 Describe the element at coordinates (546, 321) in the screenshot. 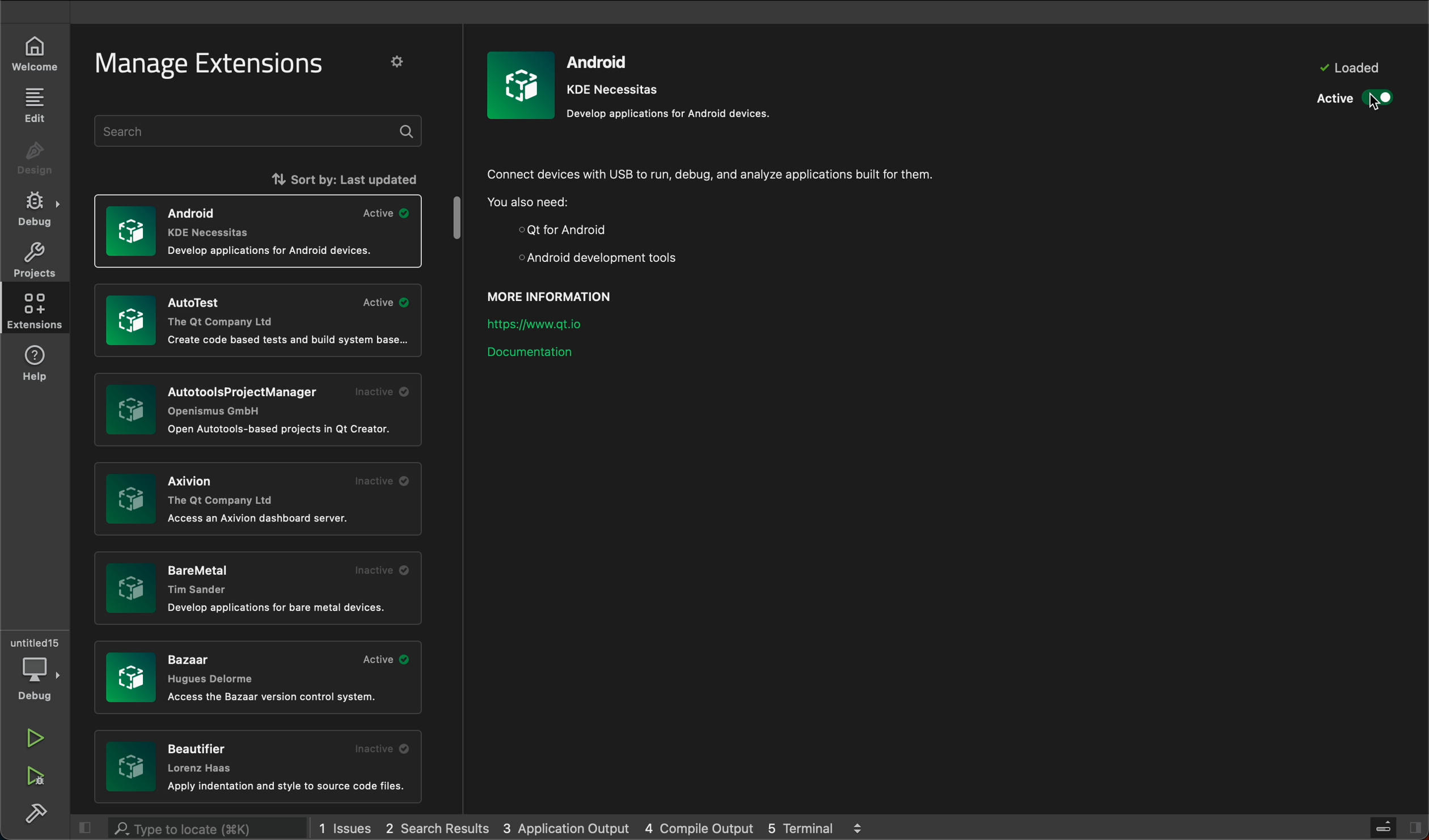

I see `link` at that location.